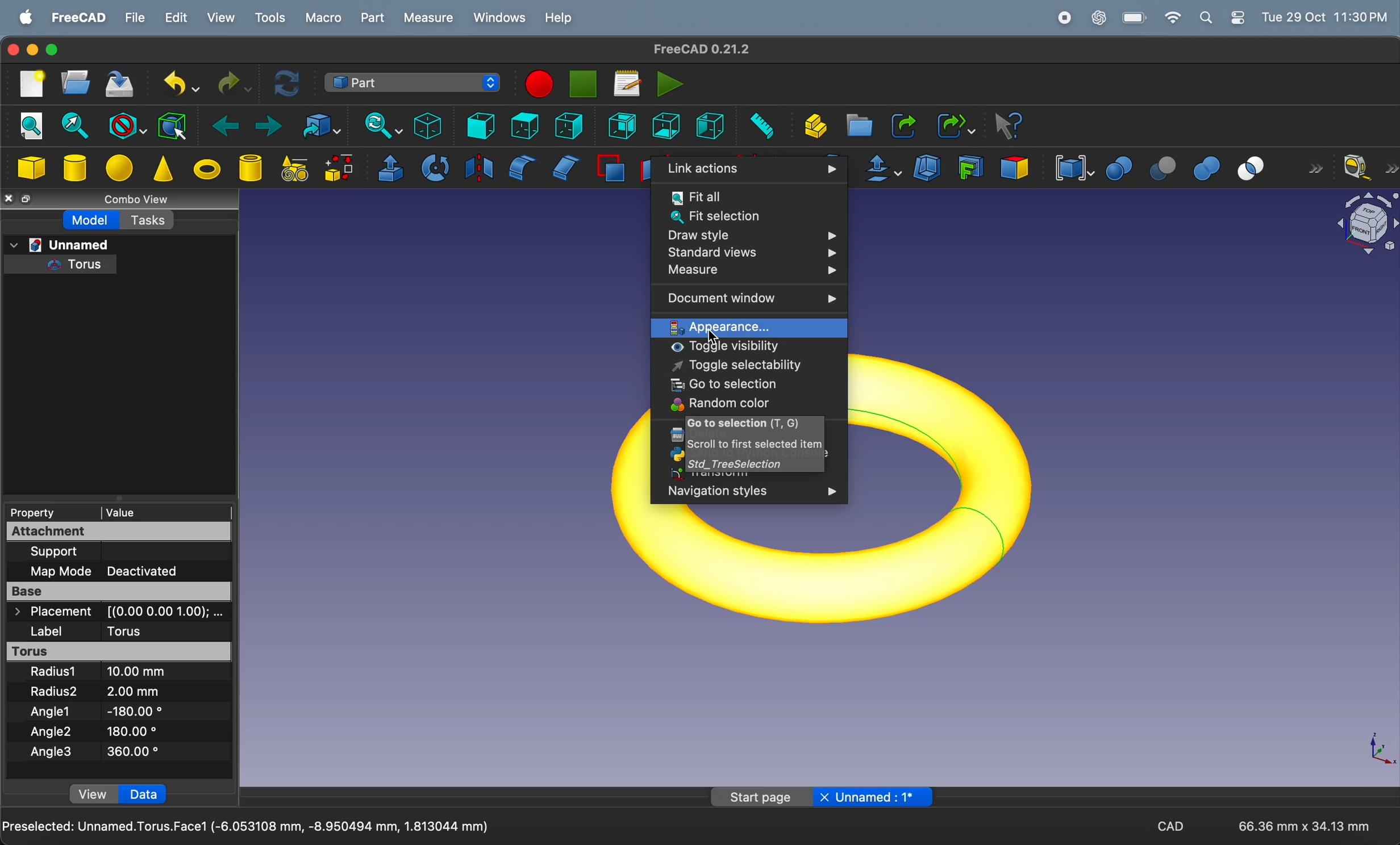  I want to click on 180.00, so click(132, 730).